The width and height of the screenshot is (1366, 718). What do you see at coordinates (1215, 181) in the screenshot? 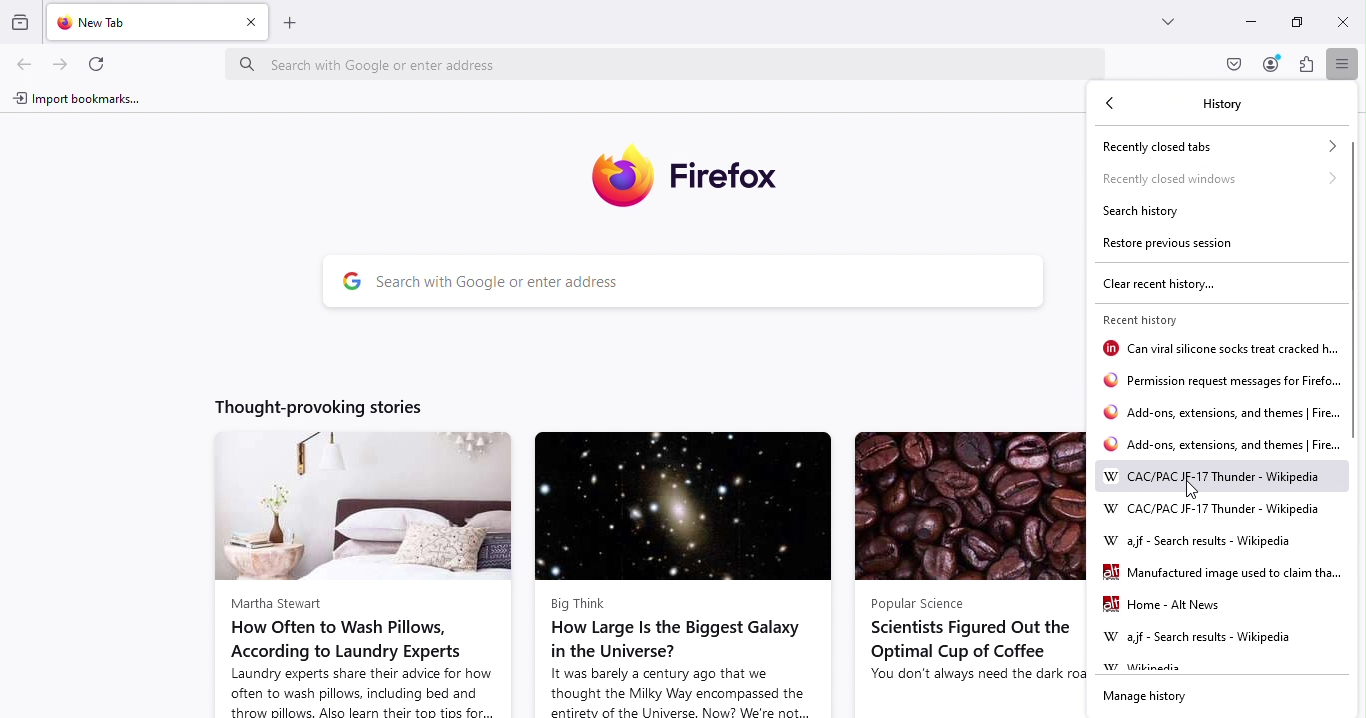
I see `Recently closed windows` at bounding box center [1215, 181].